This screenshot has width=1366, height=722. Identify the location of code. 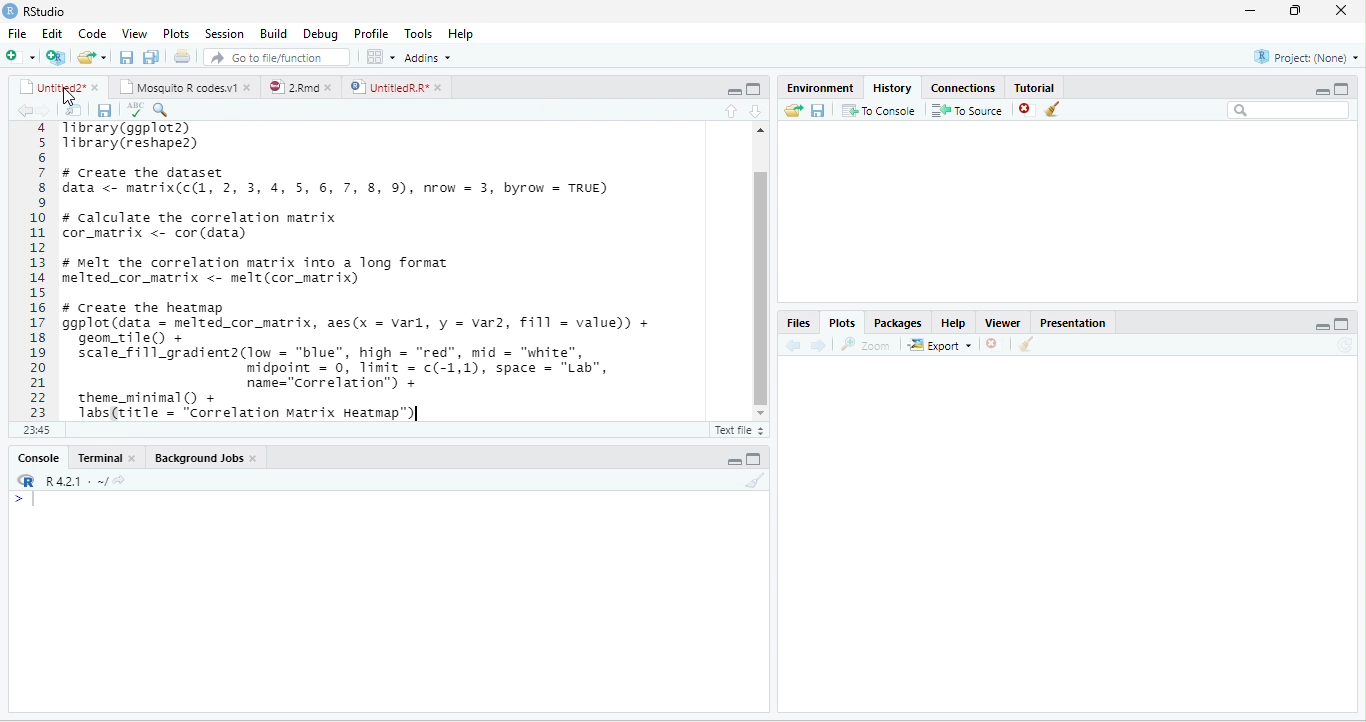
(92, 34).